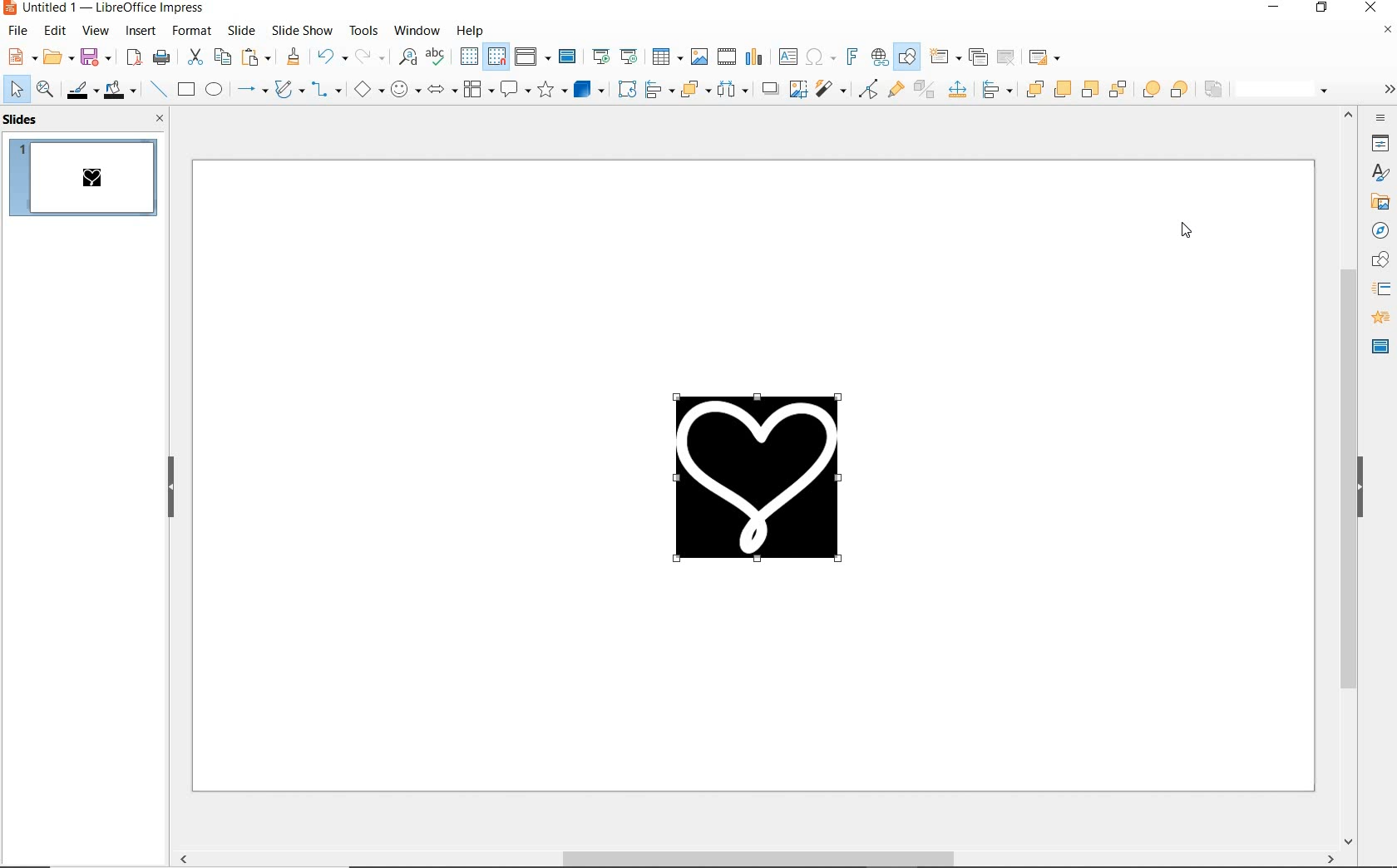  Describe the element at coordinates (324, 91) in the screenshot. I see `connectors` at that location.